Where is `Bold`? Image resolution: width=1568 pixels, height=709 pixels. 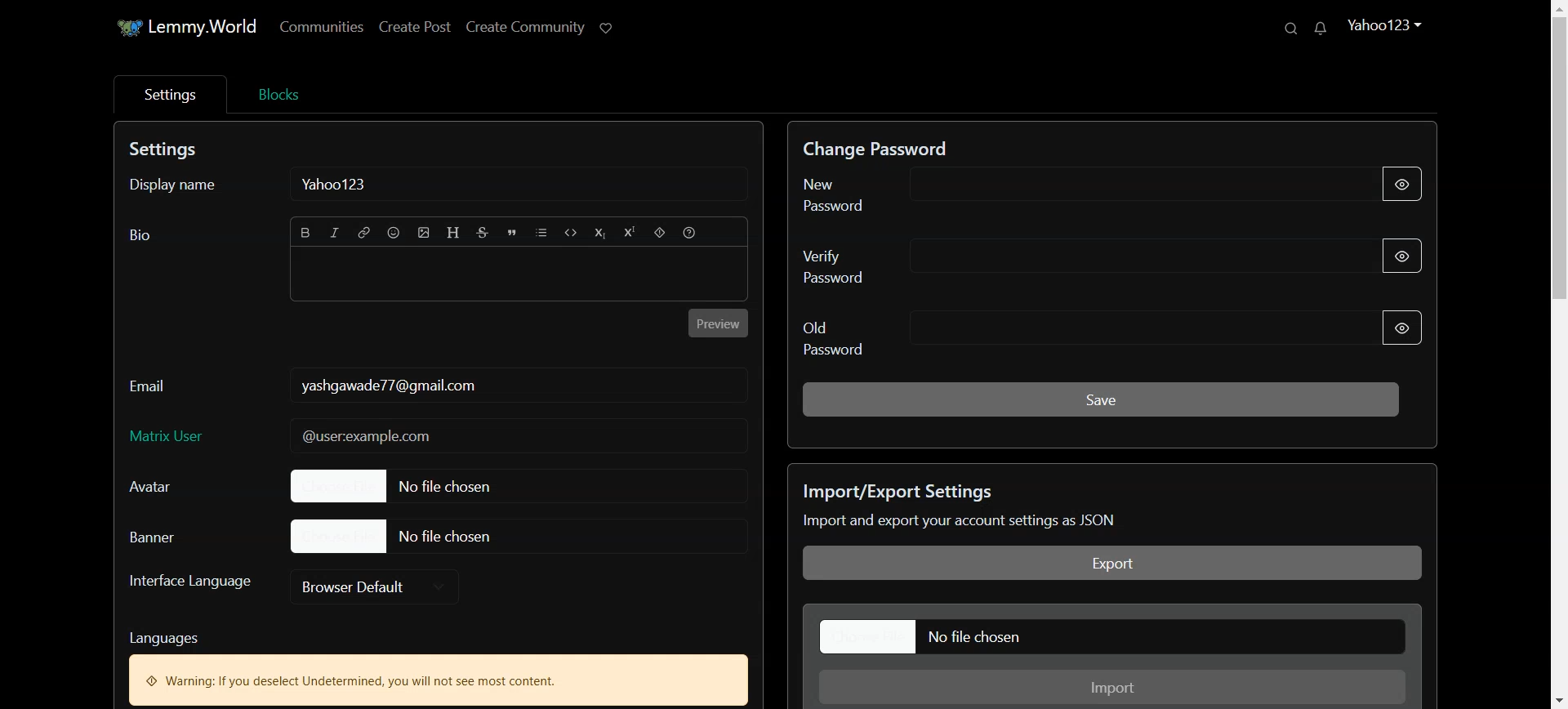
Bold is located at coordinates (306, 233).